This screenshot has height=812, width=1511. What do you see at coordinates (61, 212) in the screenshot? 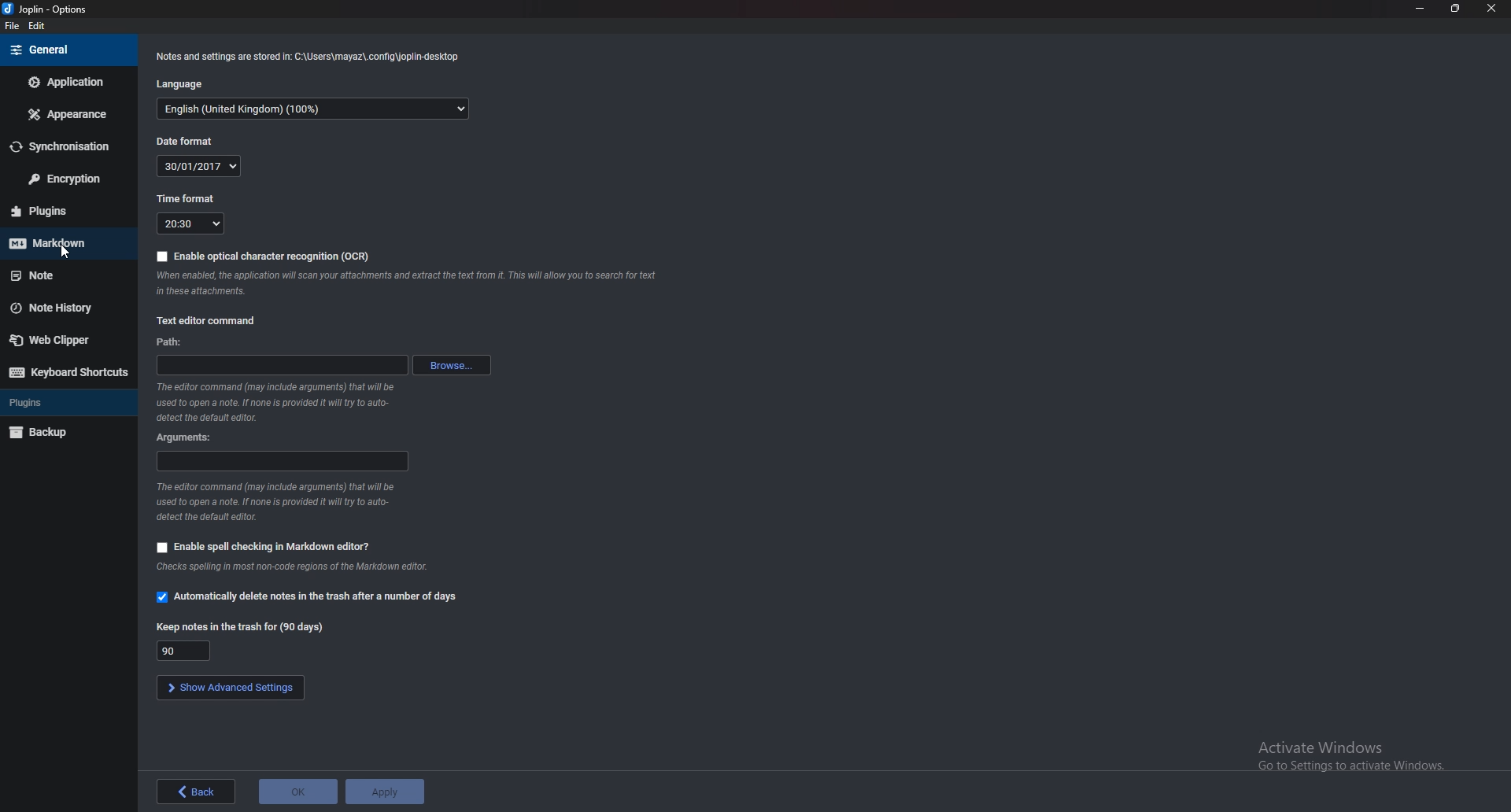
I see `Plugins` at bounding box center [61, 212].